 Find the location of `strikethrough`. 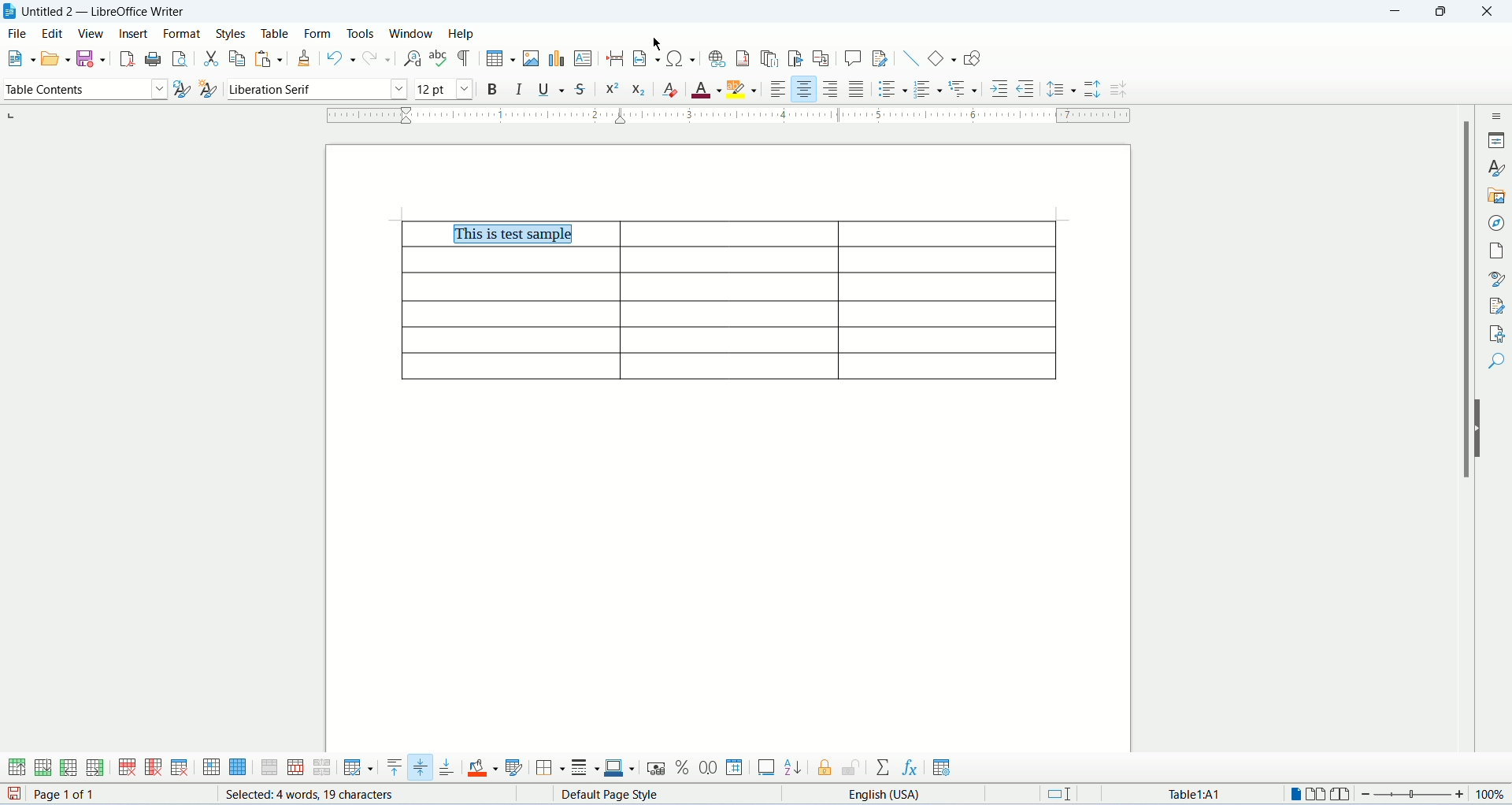

strikethrough is located at coordinates (578, 90).